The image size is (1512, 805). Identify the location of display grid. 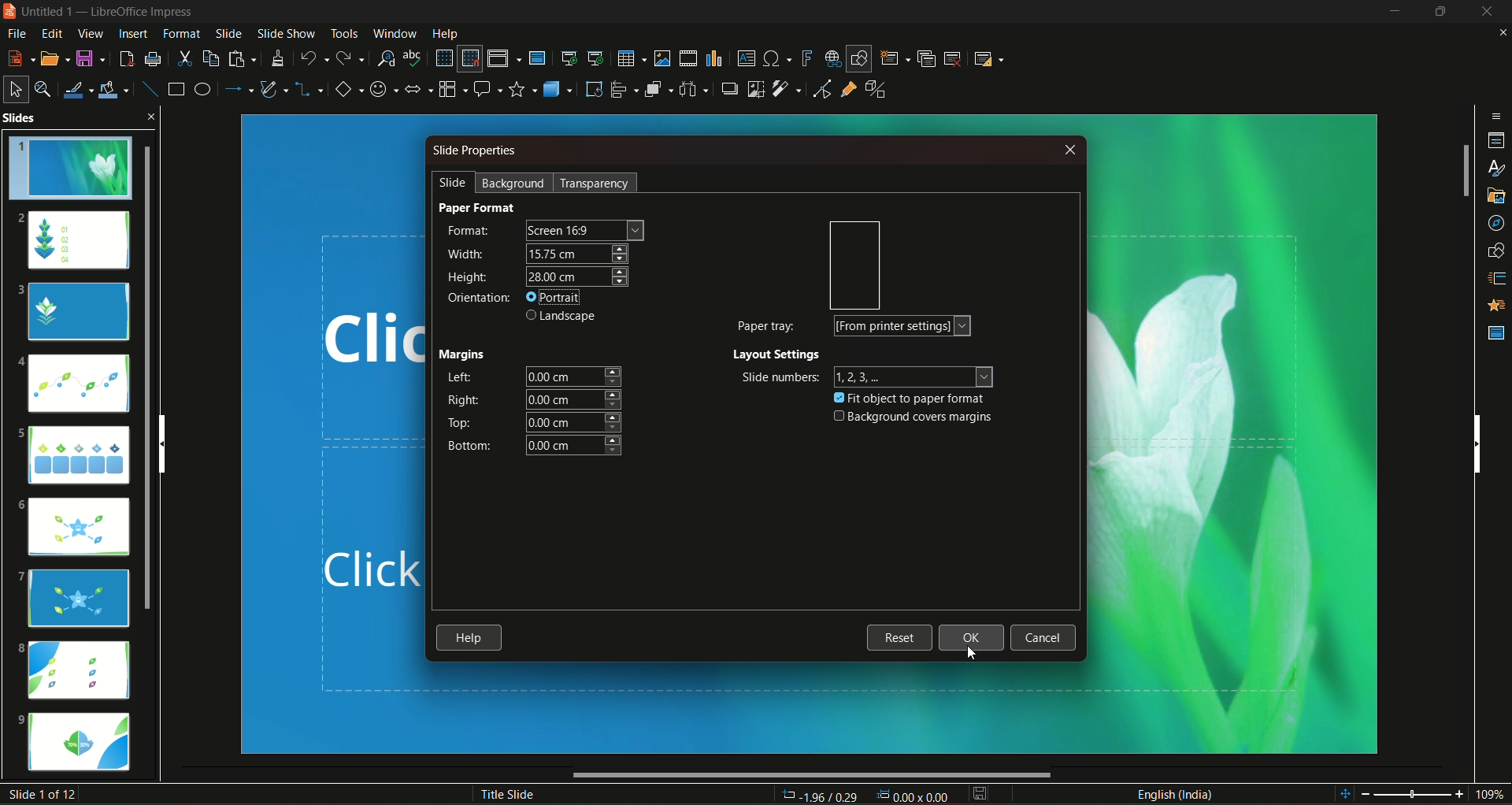
(443, 57).